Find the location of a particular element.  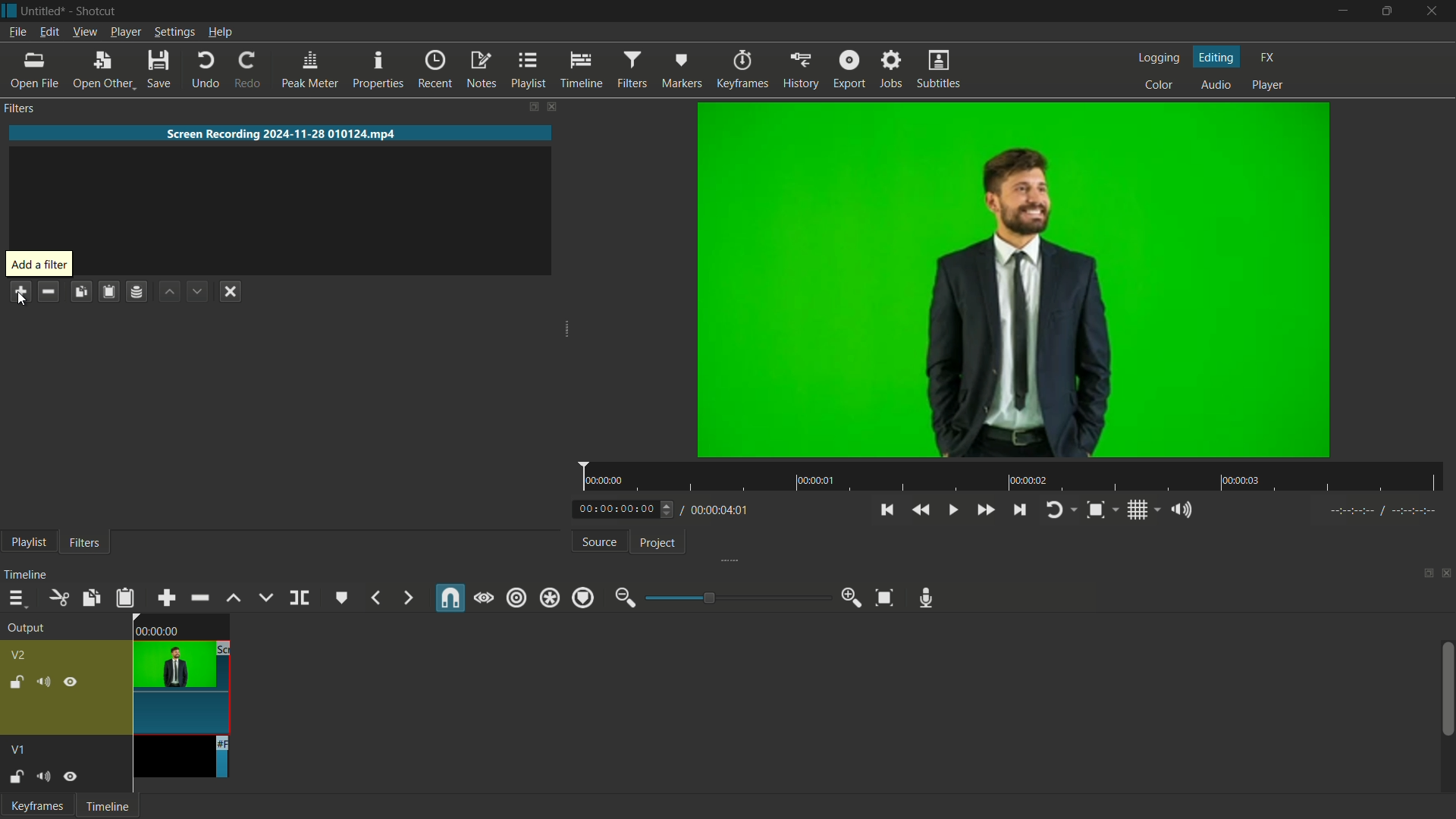

Cursor is located at coordinates (20, 301).